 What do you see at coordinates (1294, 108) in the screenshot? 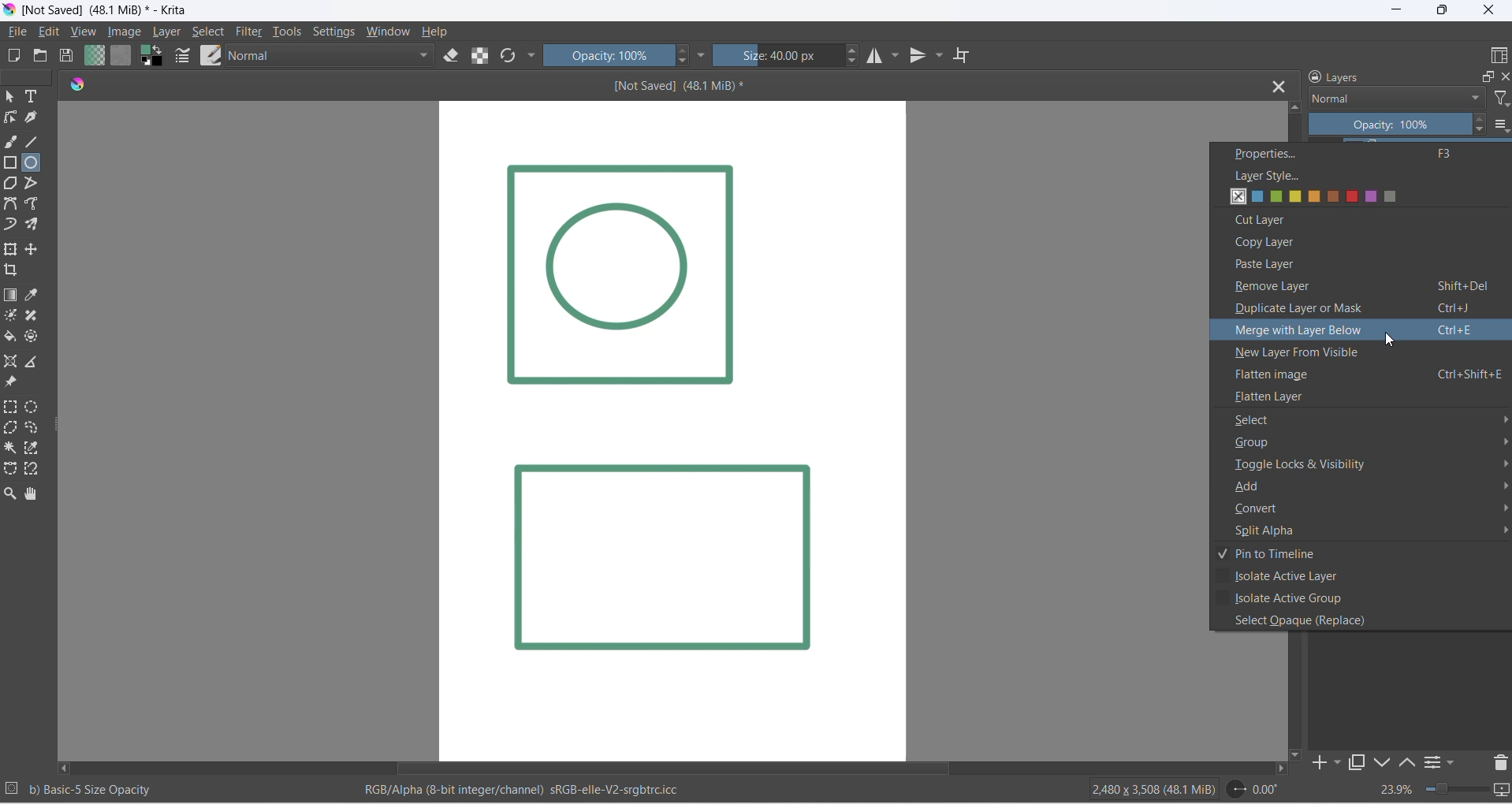
I see `move up button` at bounding box center [1294, 108].